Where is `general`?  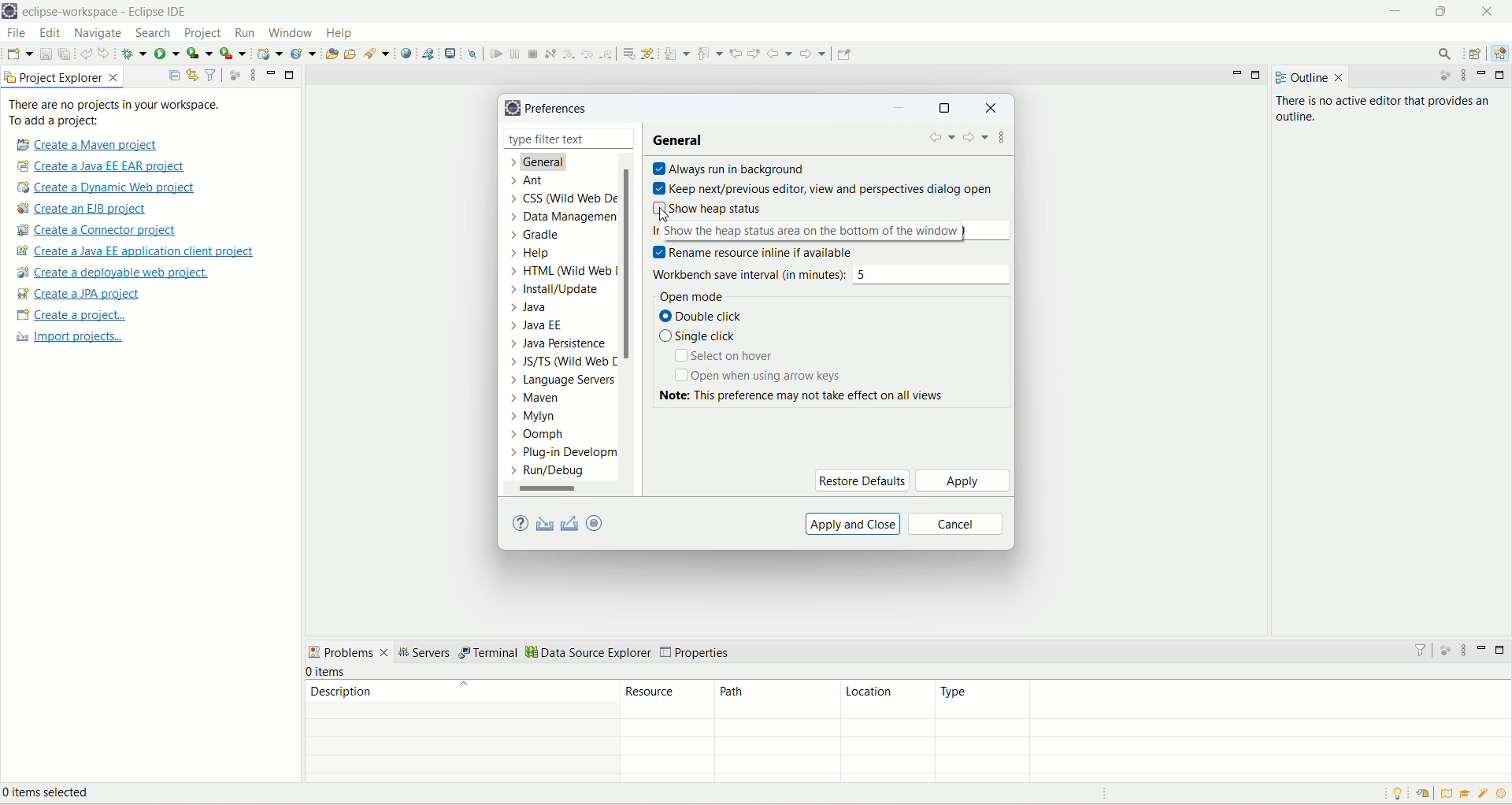 general is located at coordinates (682, 140).